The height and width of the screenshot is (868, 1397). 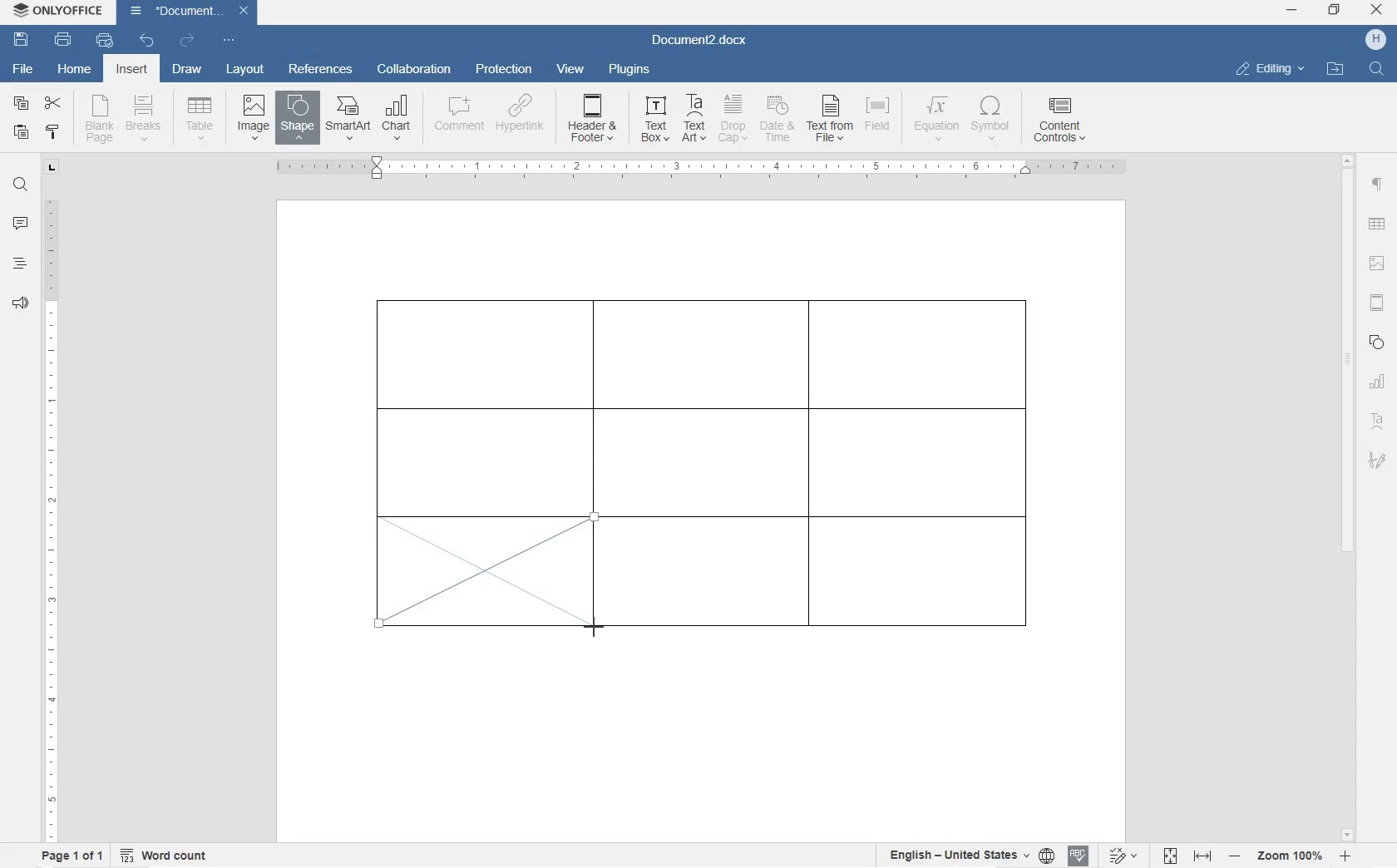 What do you see at coordinates (937, 119) in the screenshot?
I see `EQUATION` at bounding box center [937, 119].